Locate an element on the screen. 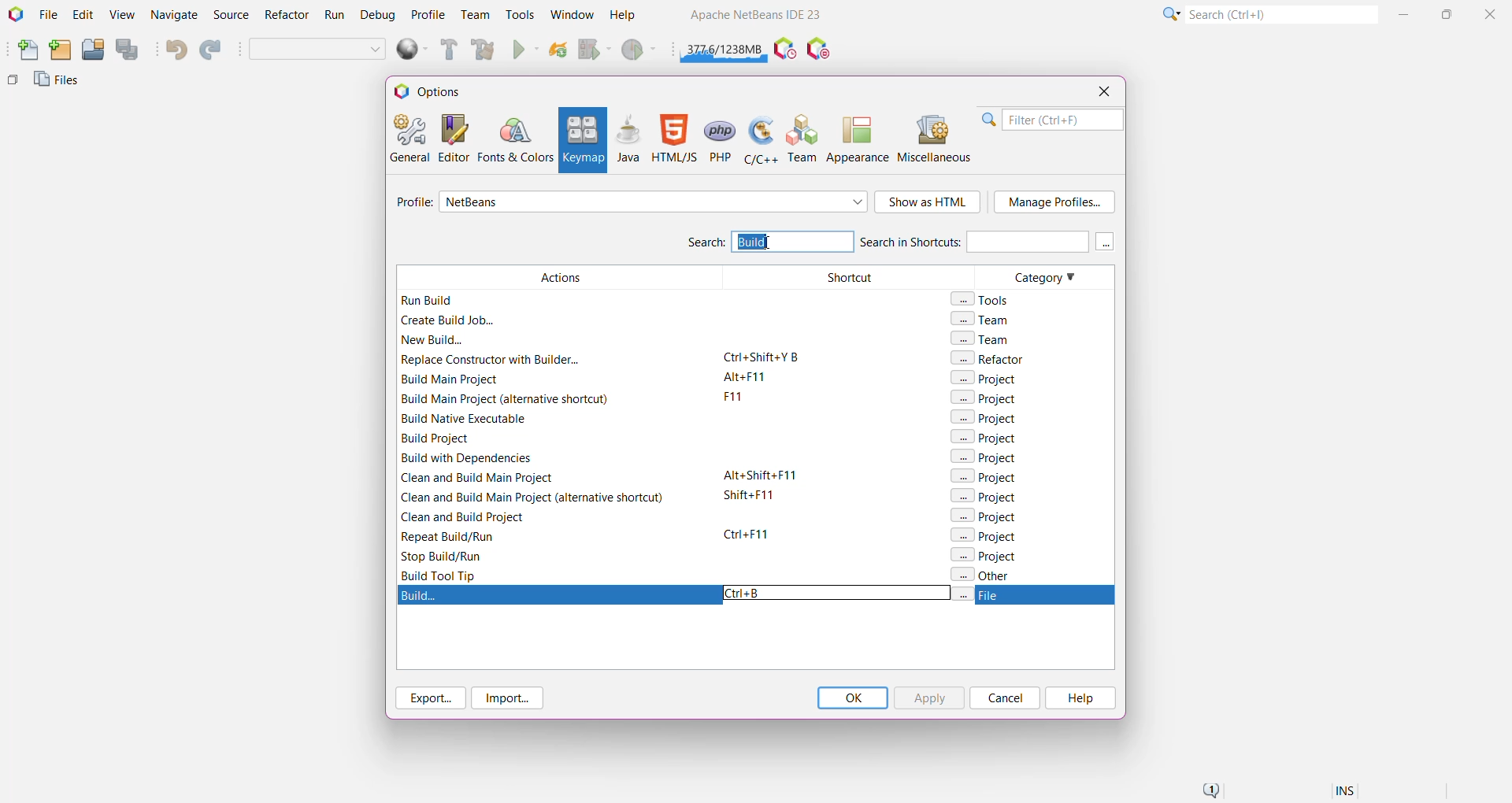 This screenshot has width=1512, height=803. C/C++ is located at coordinates (759, 139).